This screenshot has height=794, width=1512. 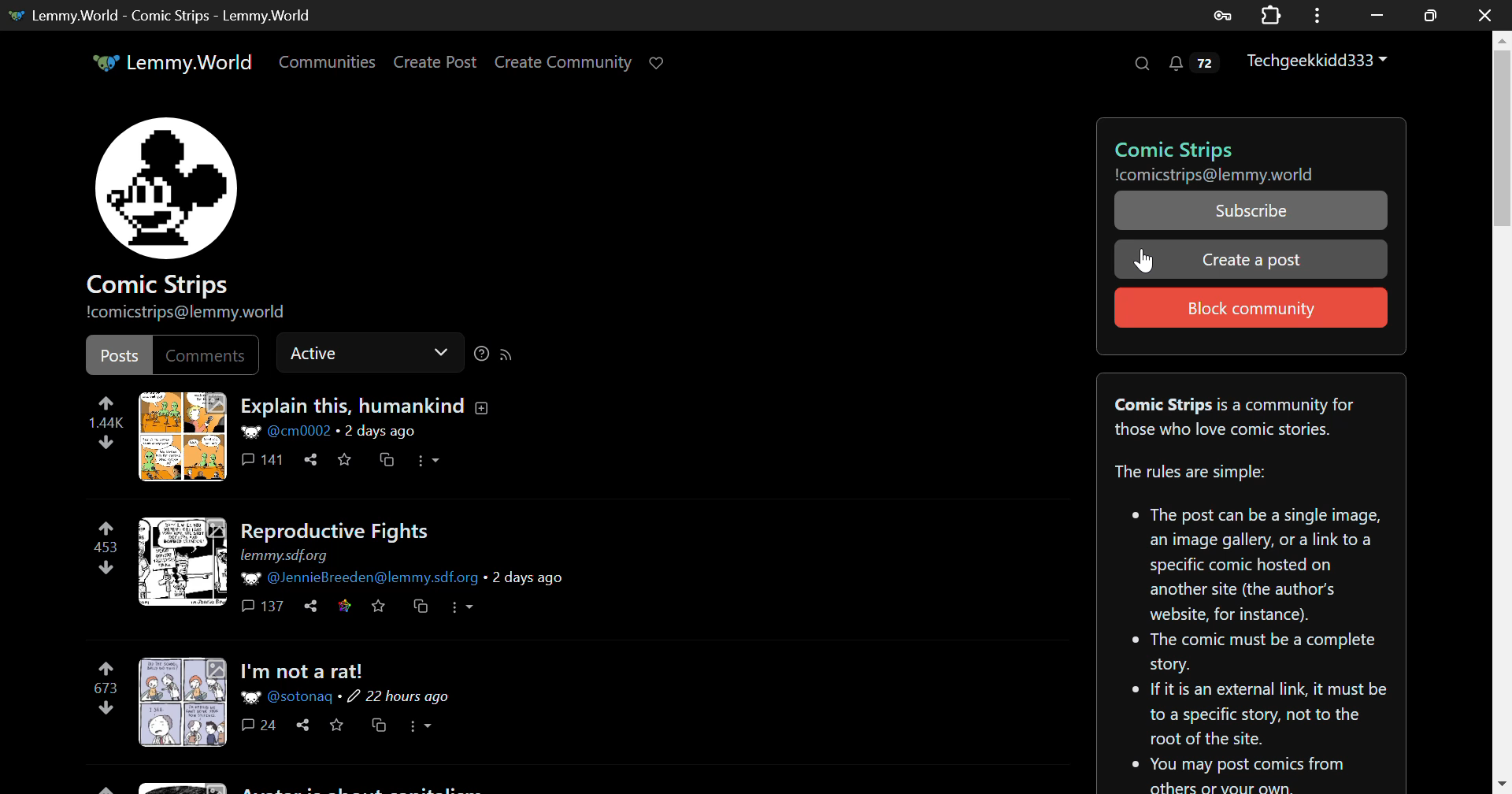 What do you see at coordinates (343, 460) in the screenshot?
I see `Save` at bounding box center [343, 460].